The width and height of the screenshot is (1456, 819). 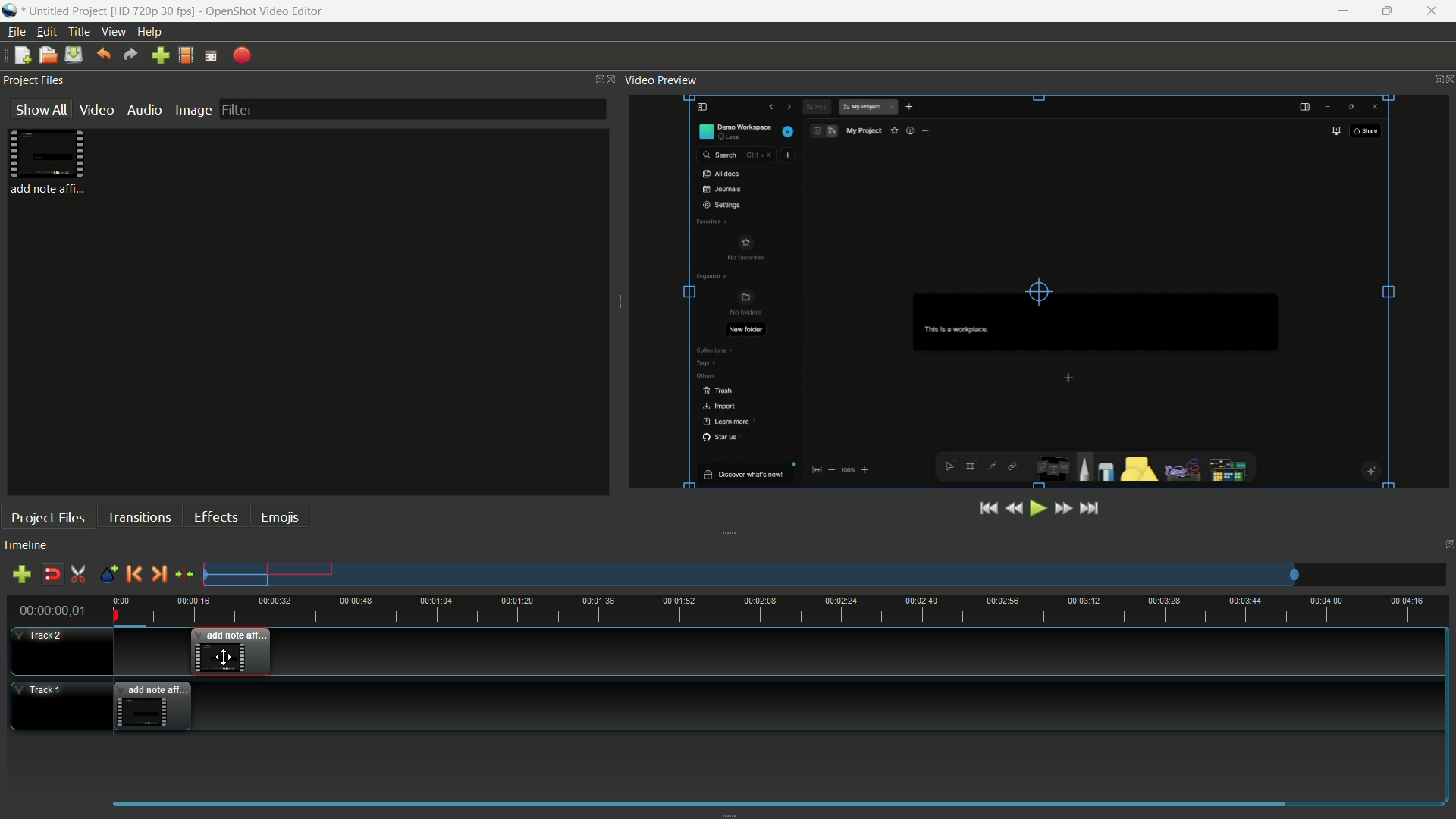 What do you see at coordinates (1062, 508) in the screenshot?
I see `fast forward` at bounding box center [1062, 508].